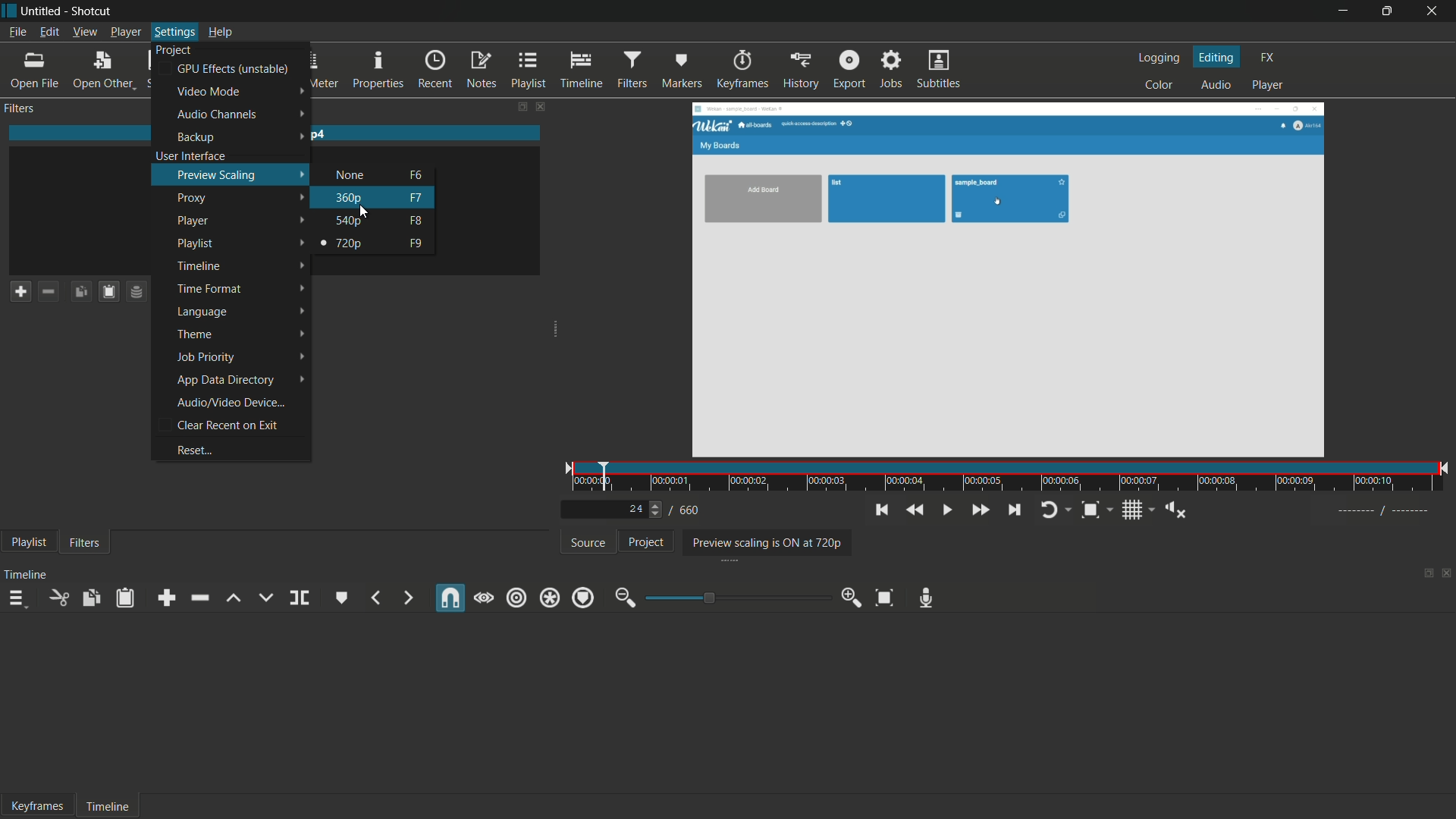 The height and width of the screenshot is (819, 1456). What do you see at coordinates (340, 597) in the screenshot?
I see `create or edit marker` at bounding box center [340, 597].